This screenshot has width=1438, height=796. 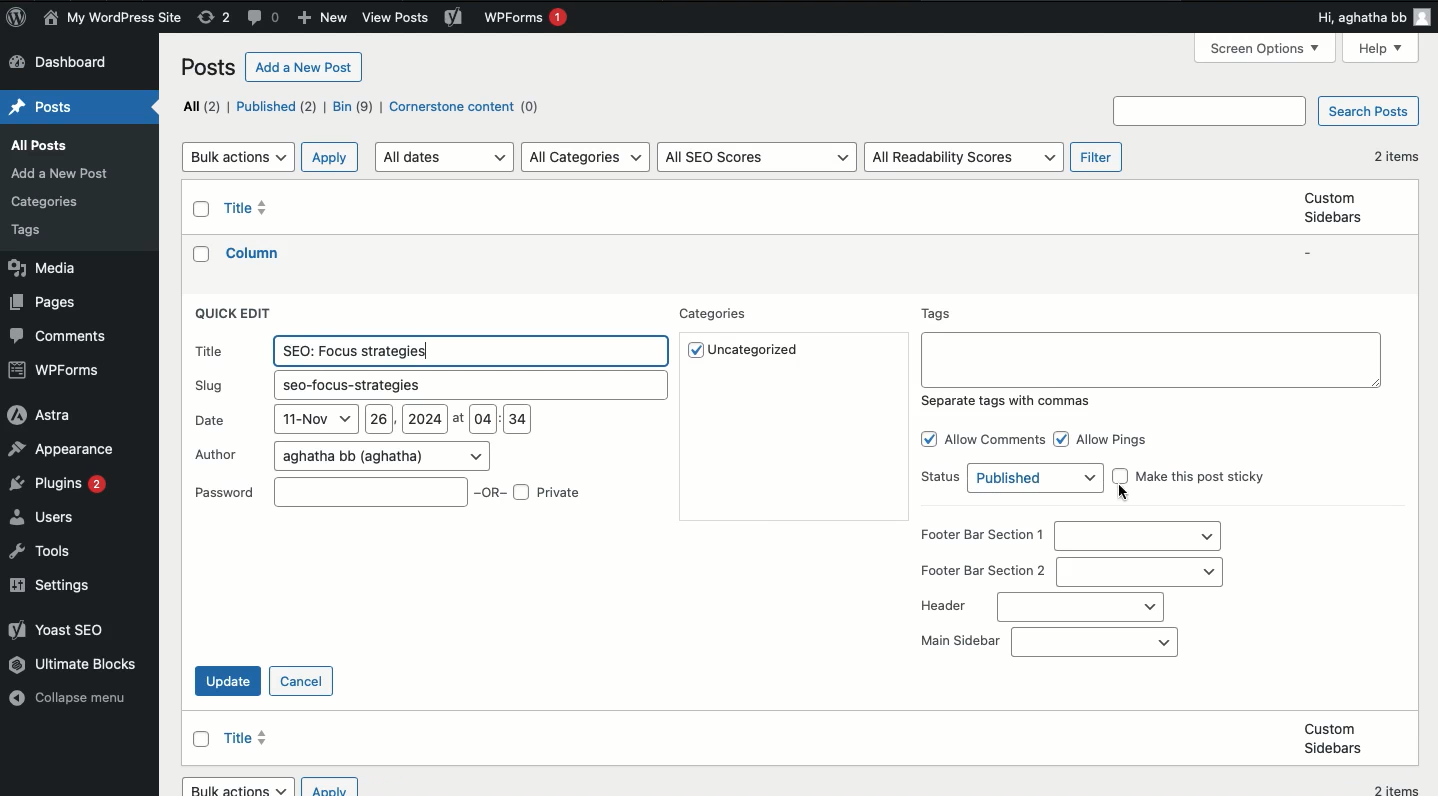 What do you see at coordinates (758, 158) in the screenshot?
I see `All SEO Scores` at bounding box center [758, 158].